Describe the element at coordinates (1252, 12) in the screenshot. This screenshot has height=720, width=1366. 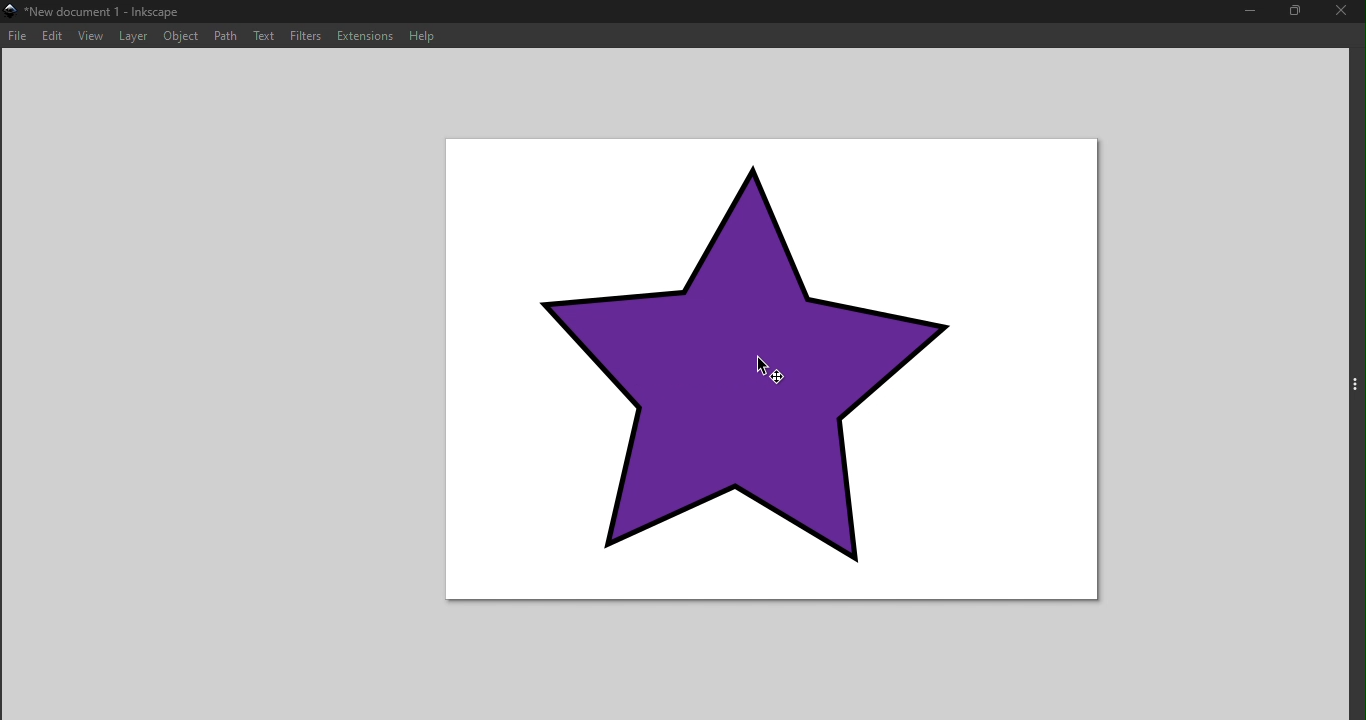
I see `Minimize` at that location.